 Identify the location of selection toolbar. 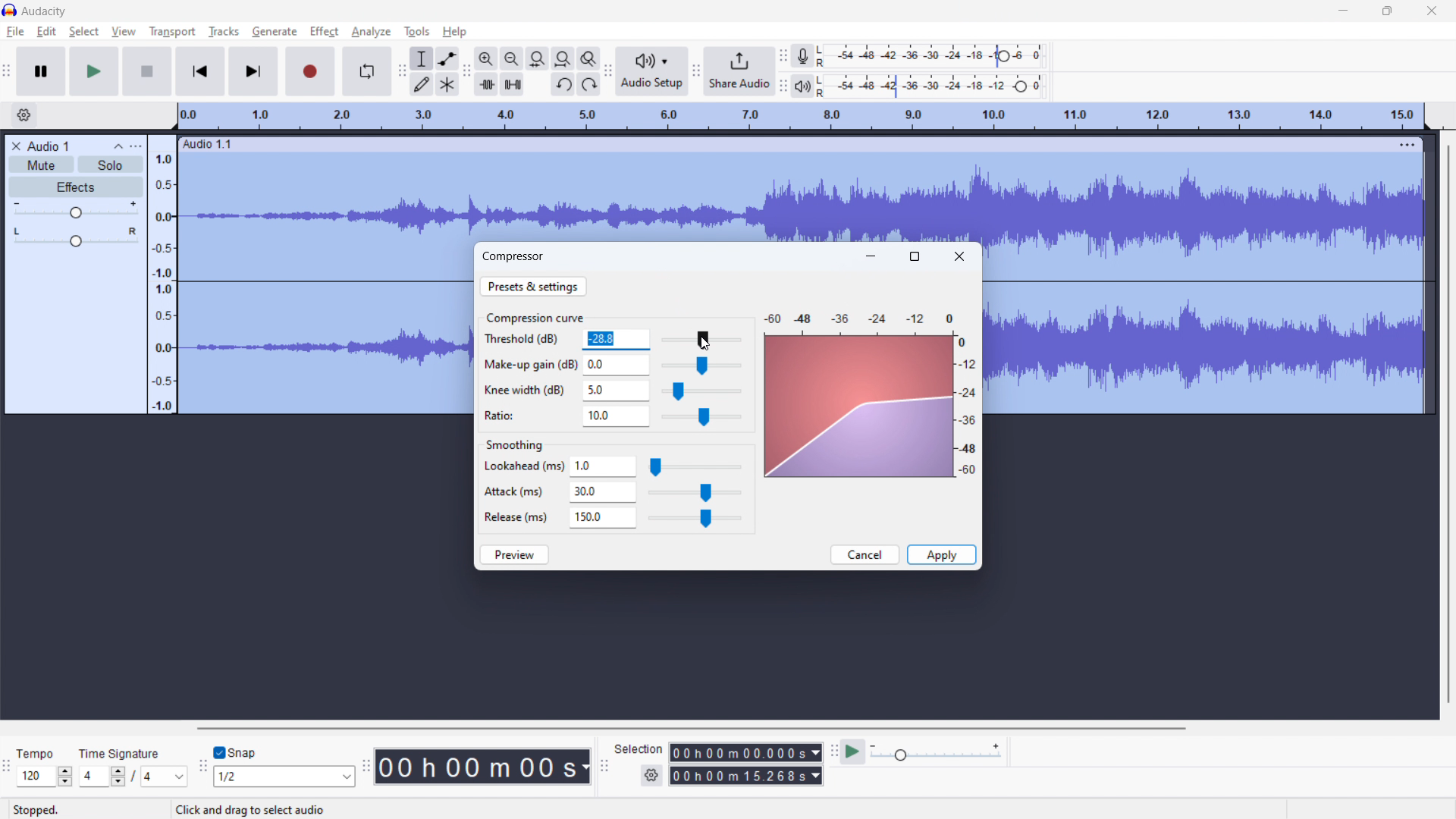
(604, 766).